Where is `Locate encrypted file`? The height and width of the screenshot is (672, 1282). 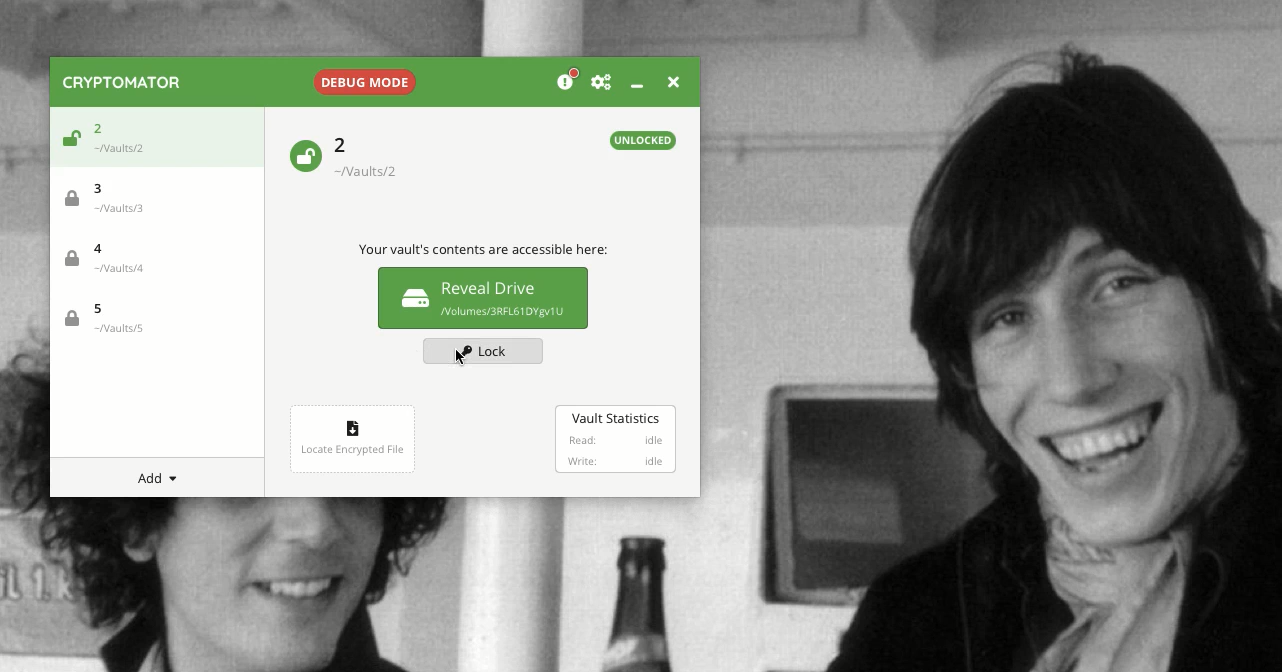 Locate encrypted file is located at coordinates (352, 437).